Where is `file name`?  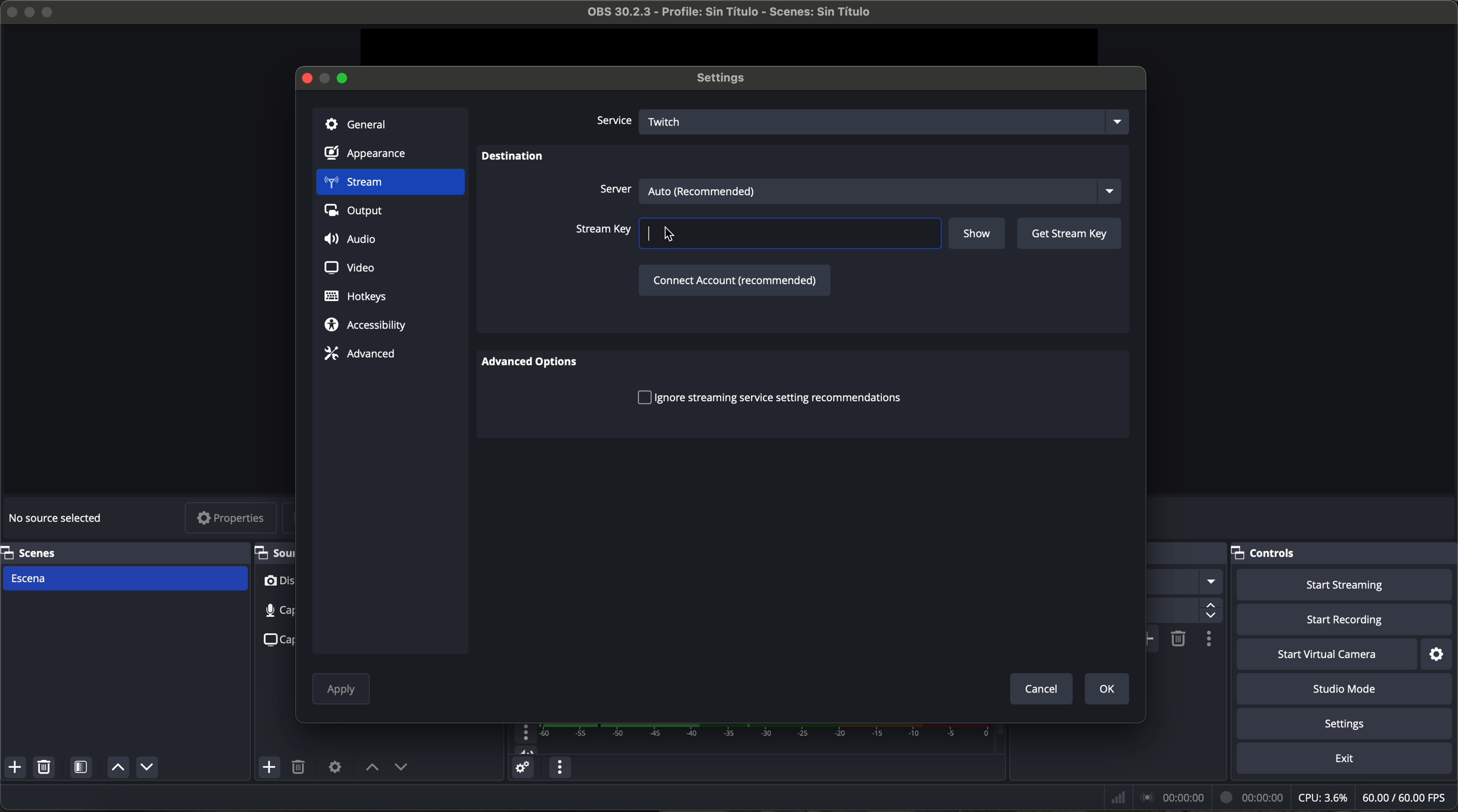 file name is located at coordinates (719, 14).